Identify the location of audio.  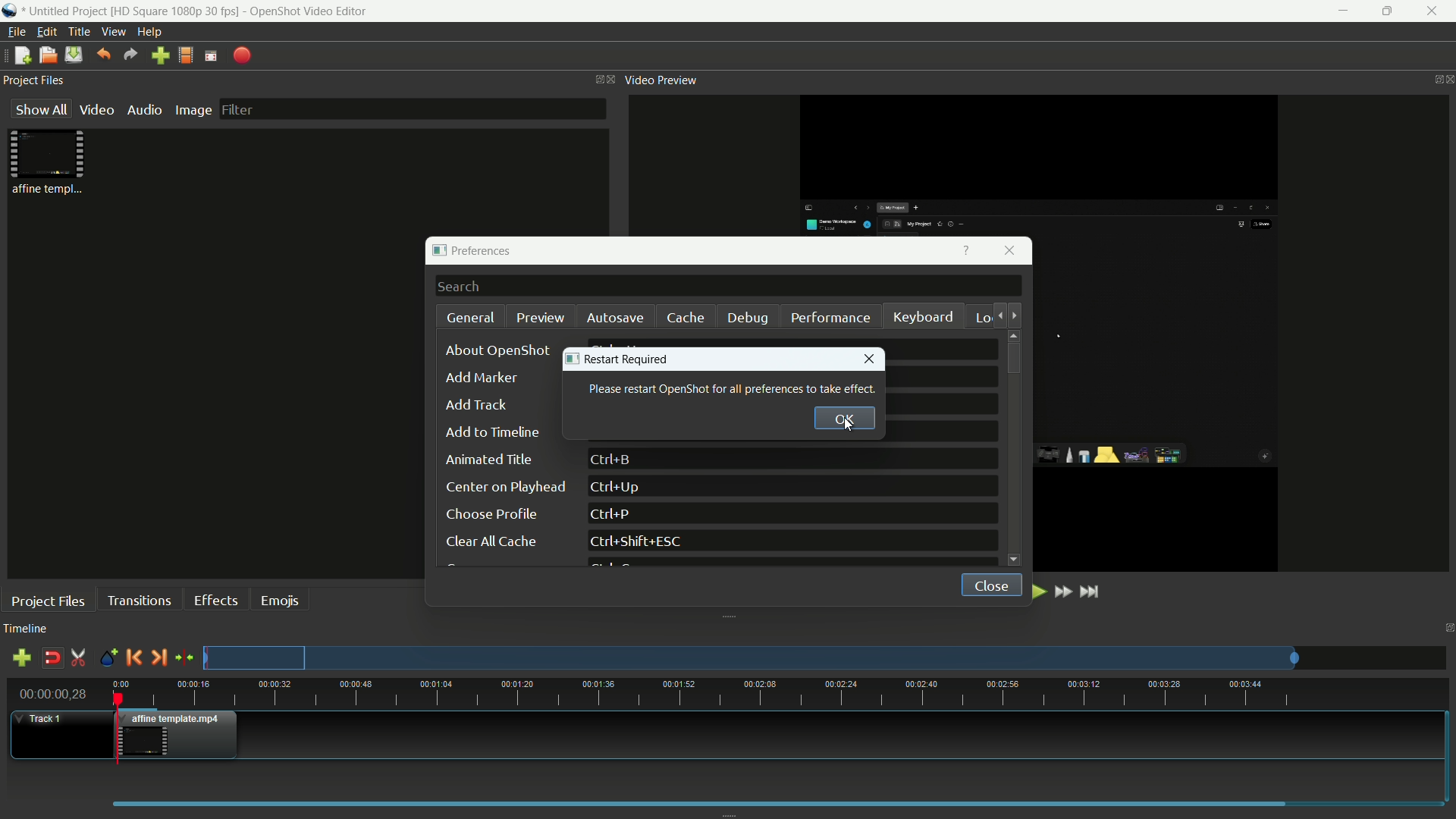
(146, 110).